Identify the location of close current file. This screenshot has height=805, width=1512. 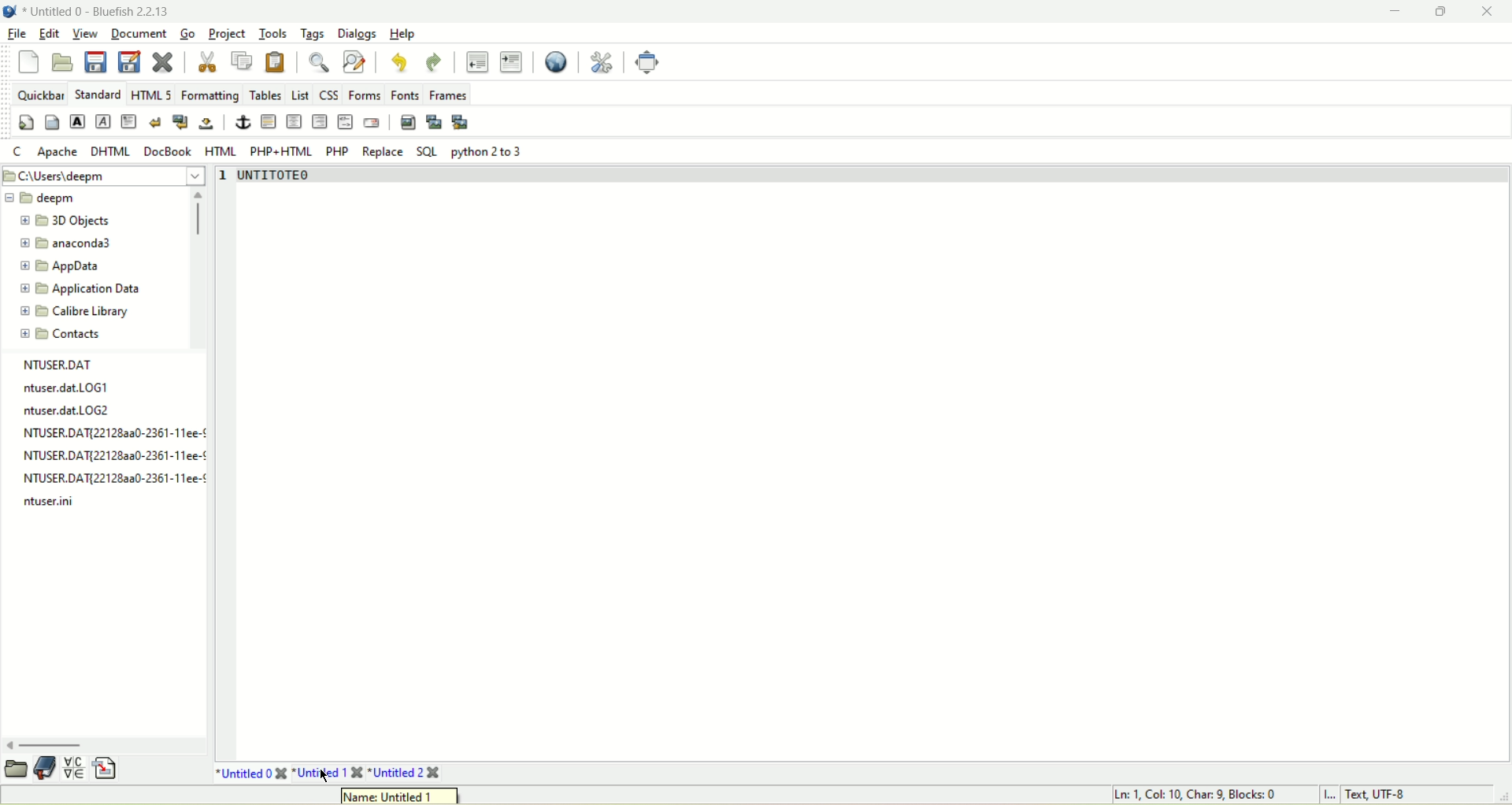
(161, 63).